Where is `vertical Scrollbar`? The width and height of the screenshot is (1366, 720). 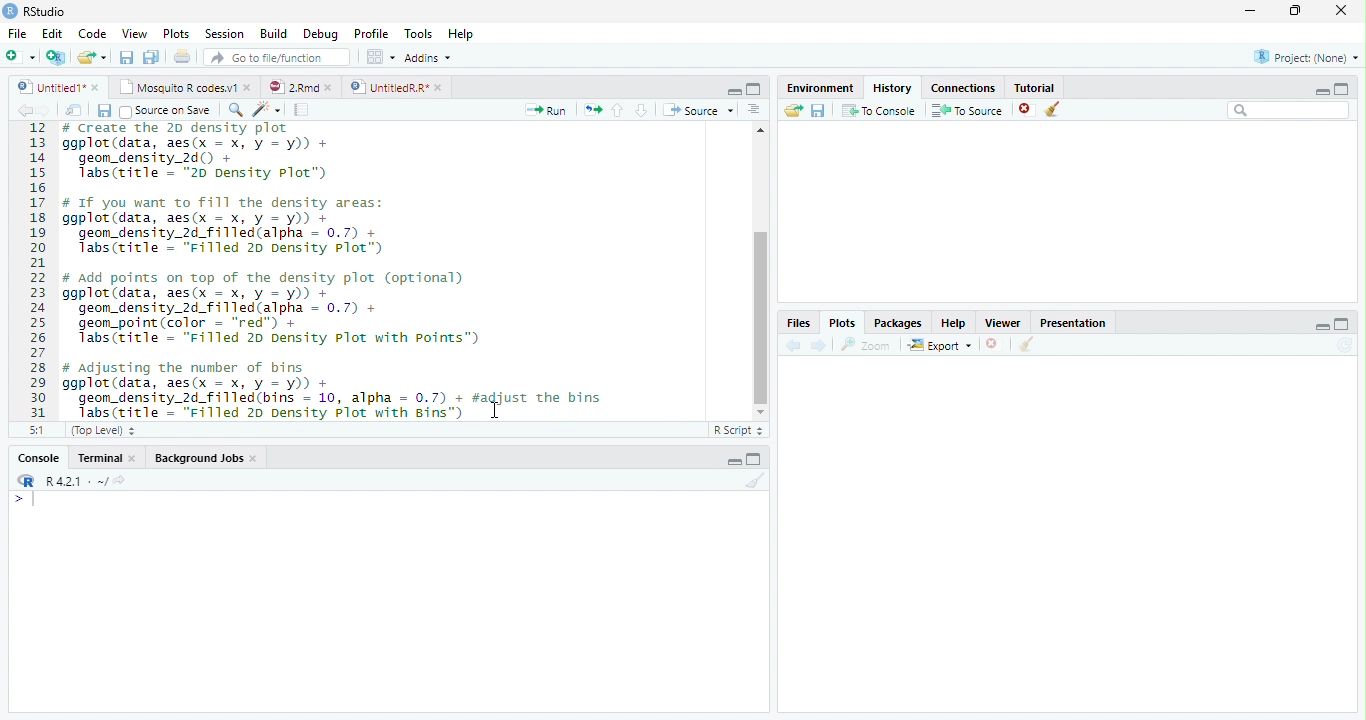
vertical Scrollbar is located at coordinates (761, 317).